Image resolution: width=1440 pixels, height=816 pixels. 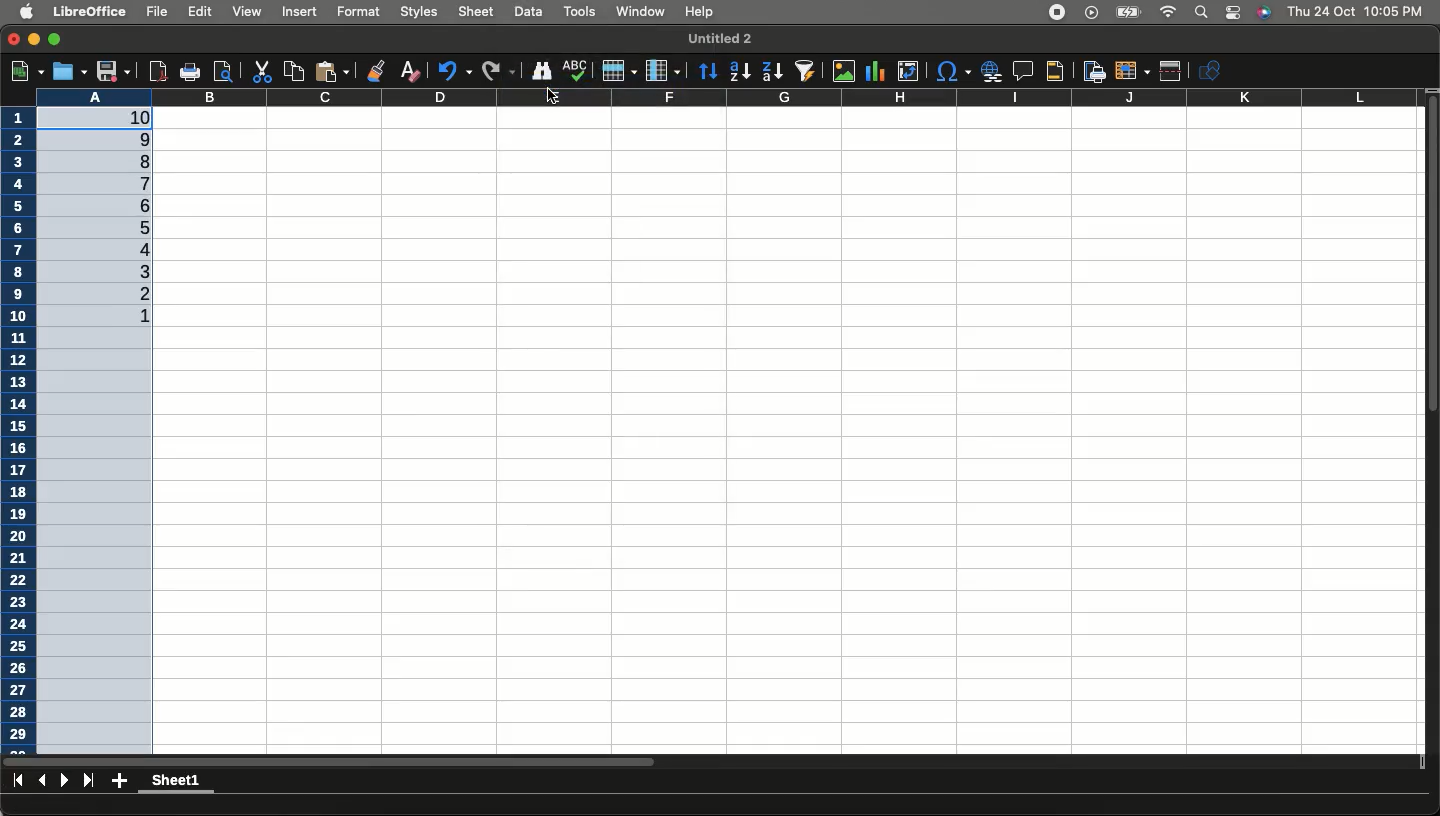 What do you see at coordinates (455, 69) in the screenshot?
I see `Uno` at bounding box center [455, 69].